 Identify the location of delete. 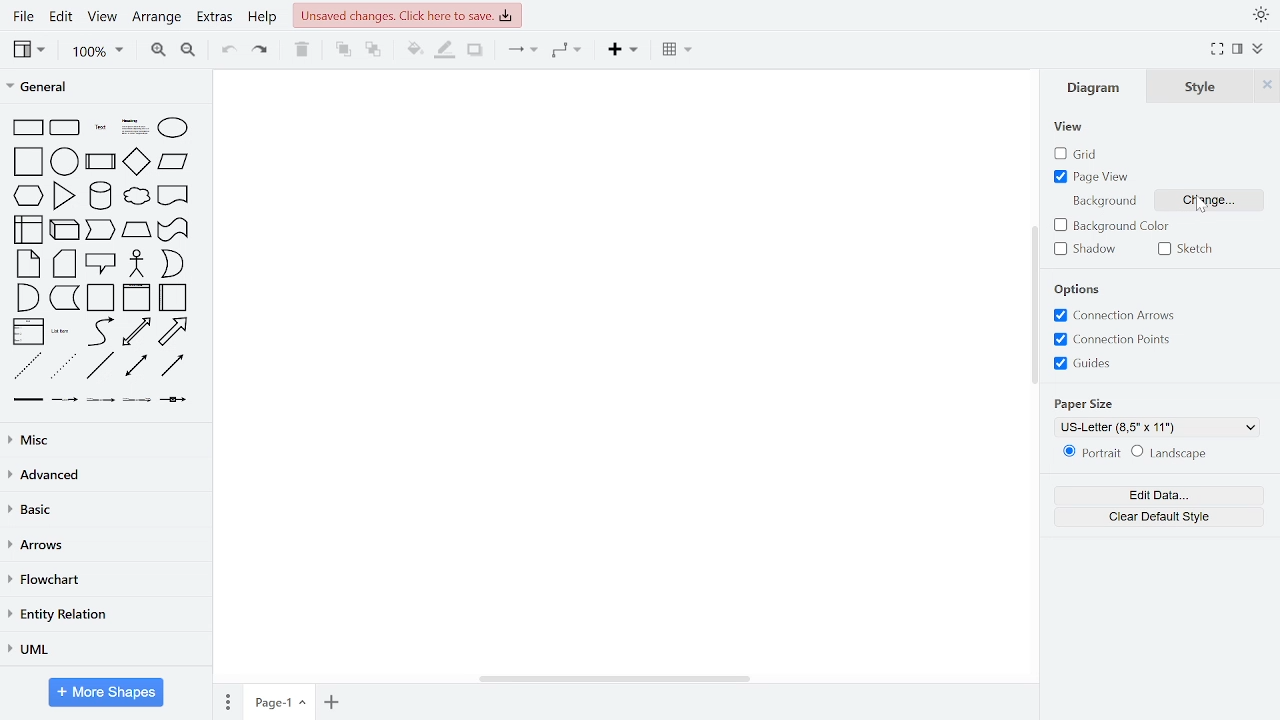
(304, 51).